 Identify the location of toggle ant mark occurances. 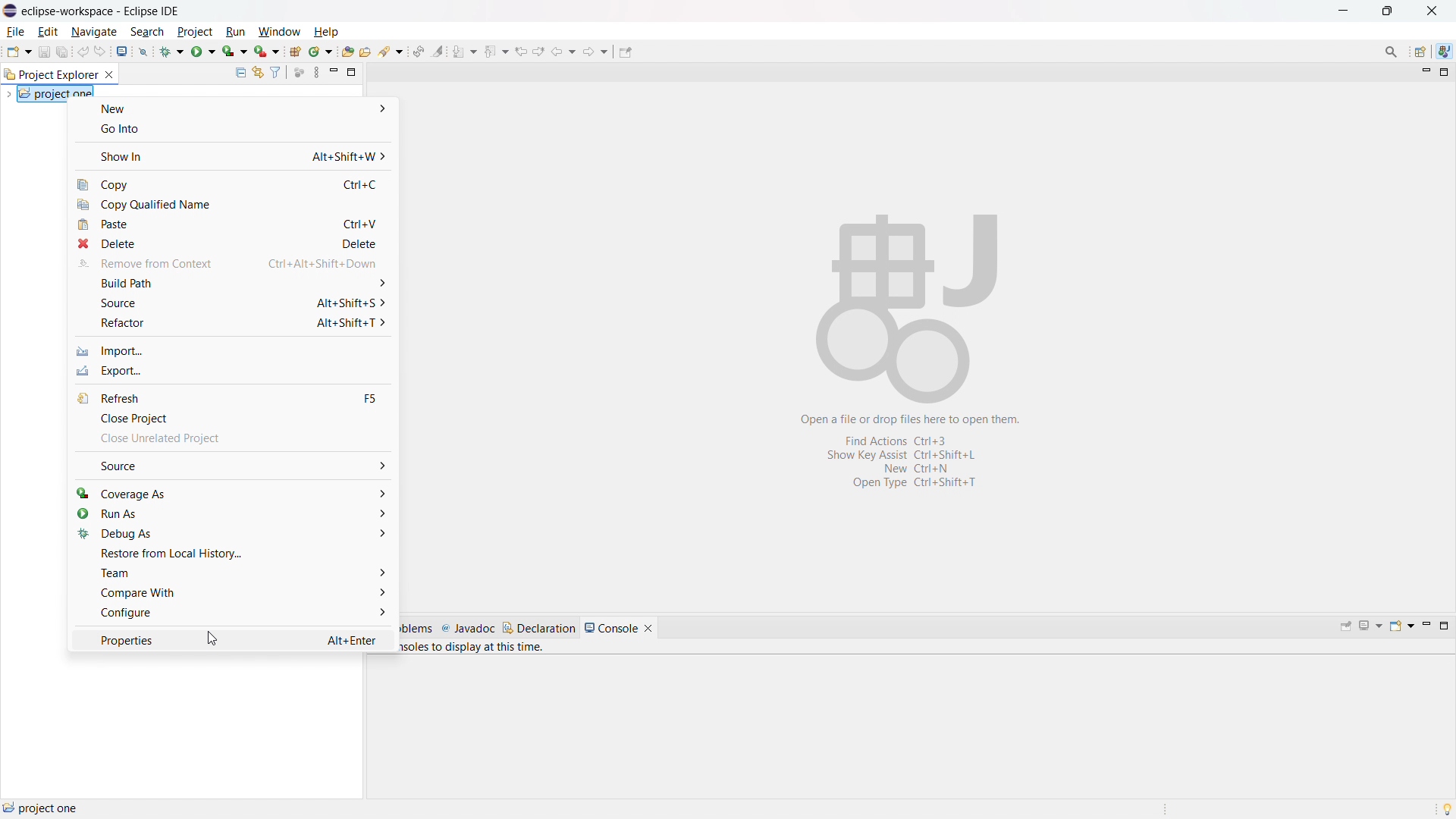
(438, 51).